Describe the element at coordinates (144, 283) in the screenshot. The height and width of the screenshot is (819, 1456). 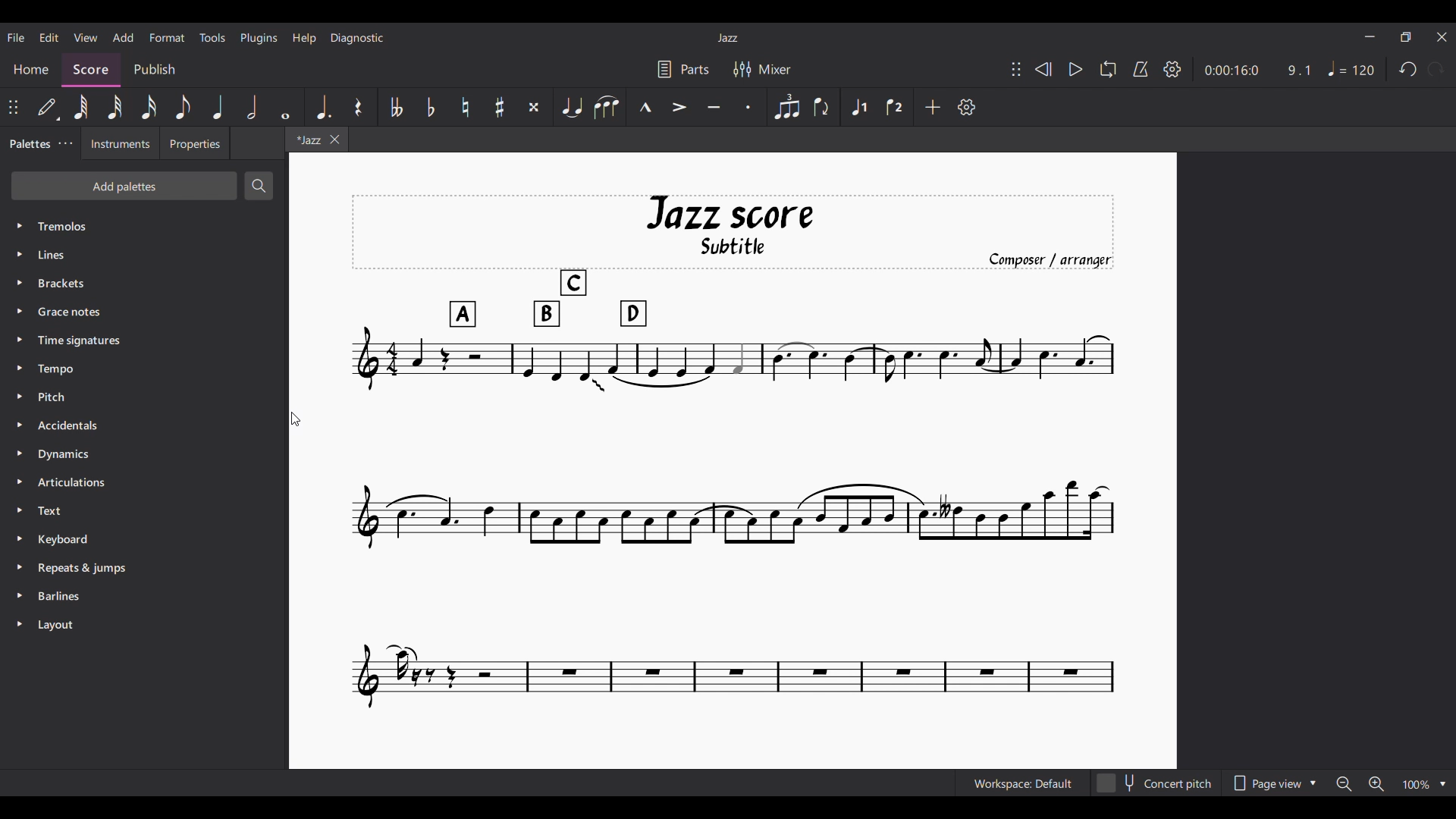
I see `Brackets` at that location.